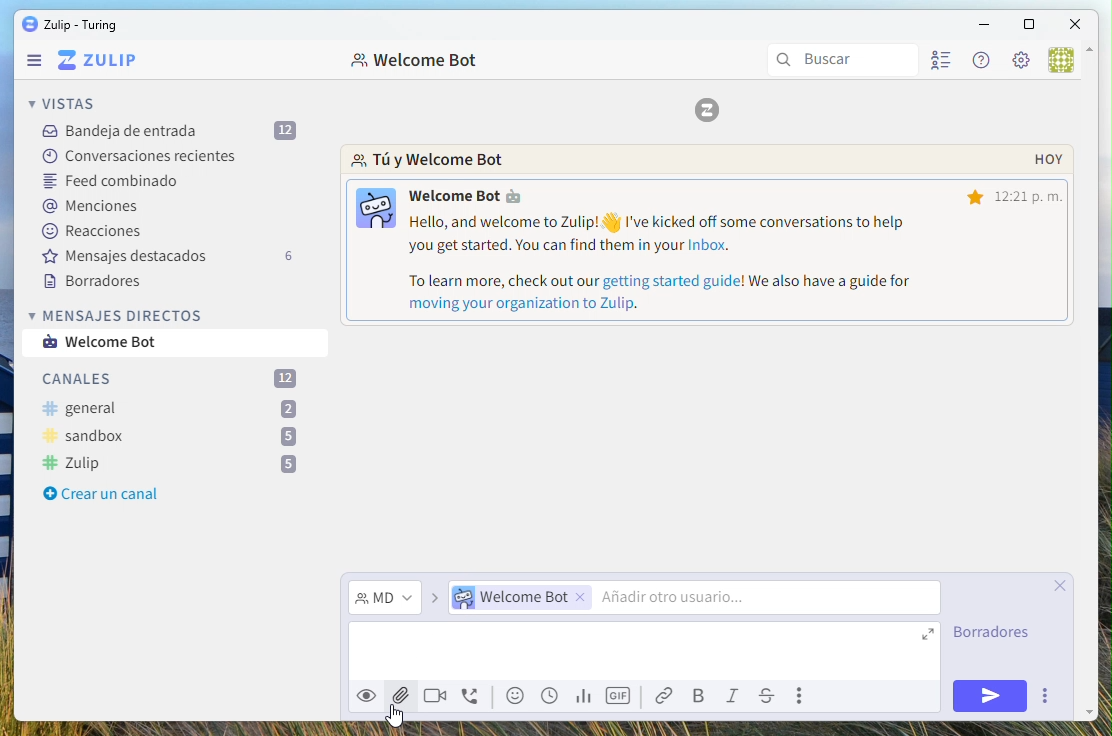 This screenshot has width=1112, height=736. What do you see at coordinates (174, 379) in the screenshot?
I see `Channels` at bounding box center [174, 379].